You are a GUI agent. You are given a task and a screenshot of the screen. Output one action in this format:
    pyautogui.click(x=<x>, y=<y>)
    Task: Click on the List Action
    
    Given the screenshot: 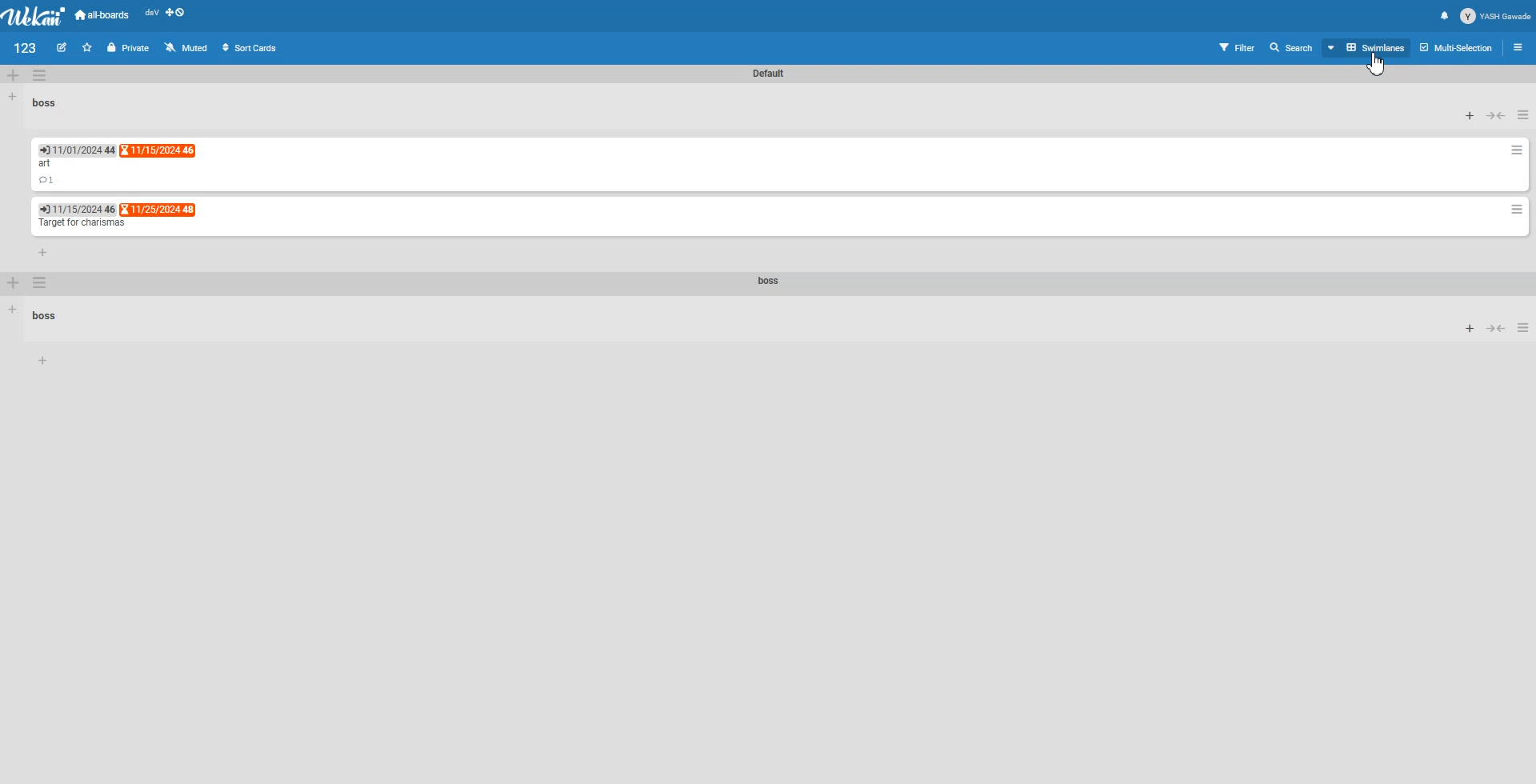 What is the action you would take?
    pyautogui.click(x=1525, y=326)
    